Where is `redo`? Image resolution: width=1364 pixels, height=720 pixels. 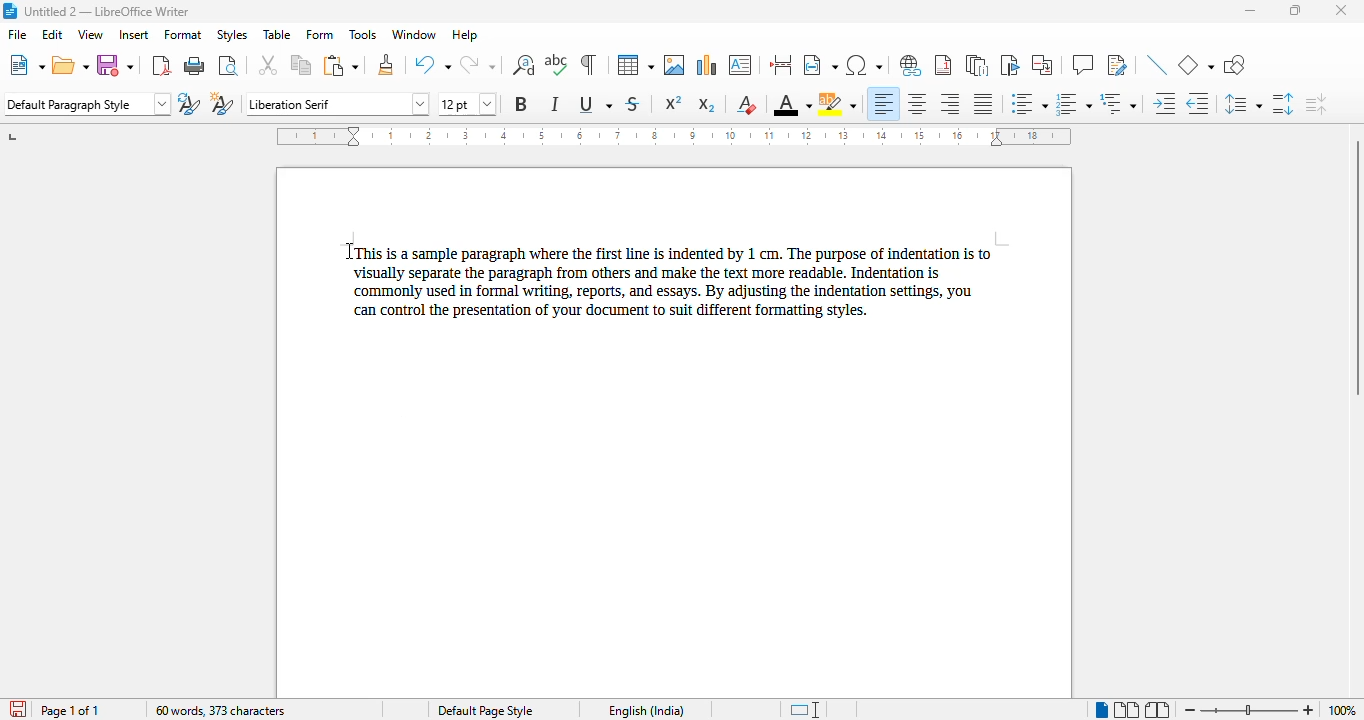
redo is located at coordinates (477, 64).